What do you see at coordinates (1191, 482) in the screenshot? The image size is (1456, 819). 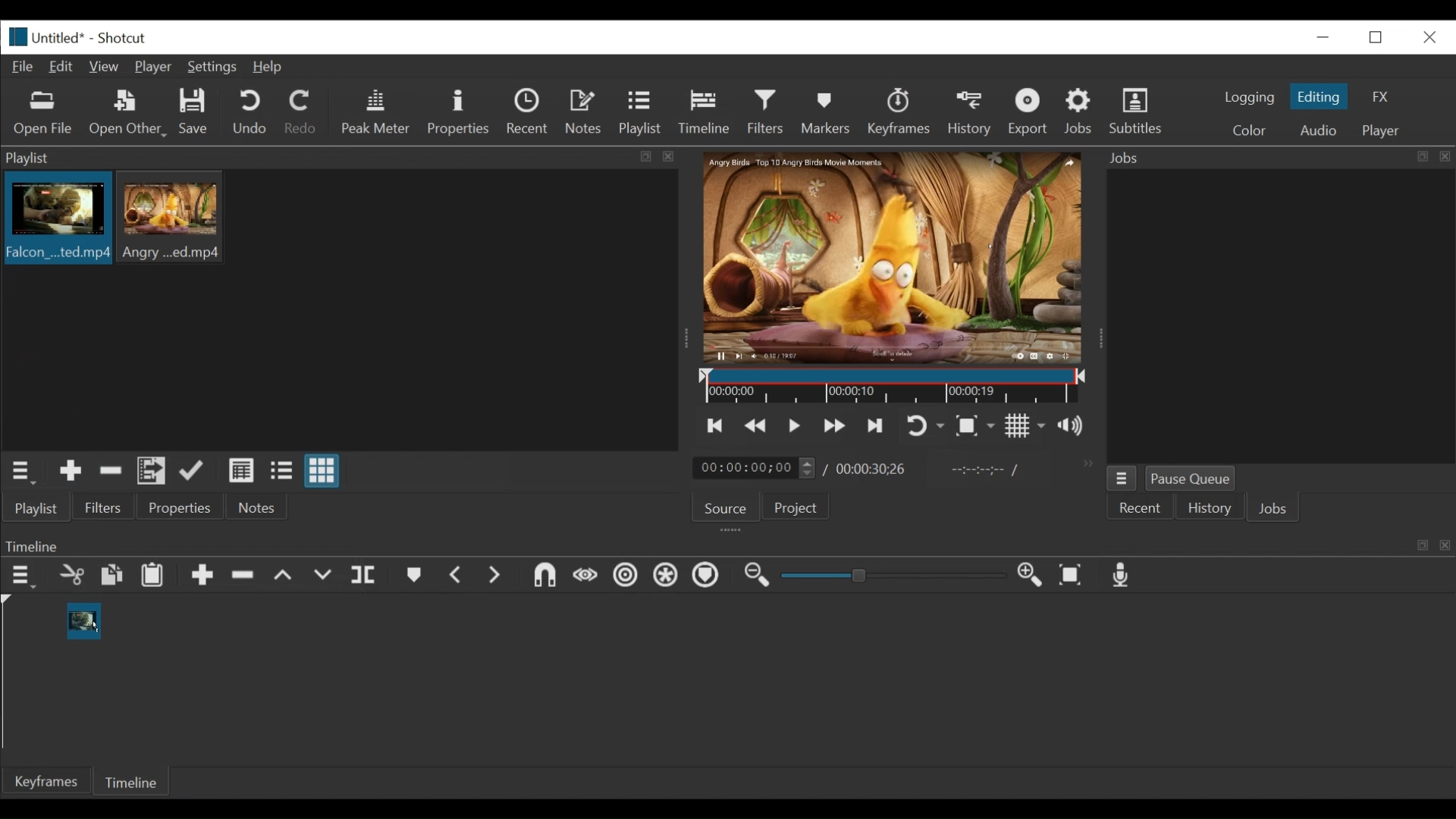 I see `Pause Queue` at bounding box center [1191, 482].